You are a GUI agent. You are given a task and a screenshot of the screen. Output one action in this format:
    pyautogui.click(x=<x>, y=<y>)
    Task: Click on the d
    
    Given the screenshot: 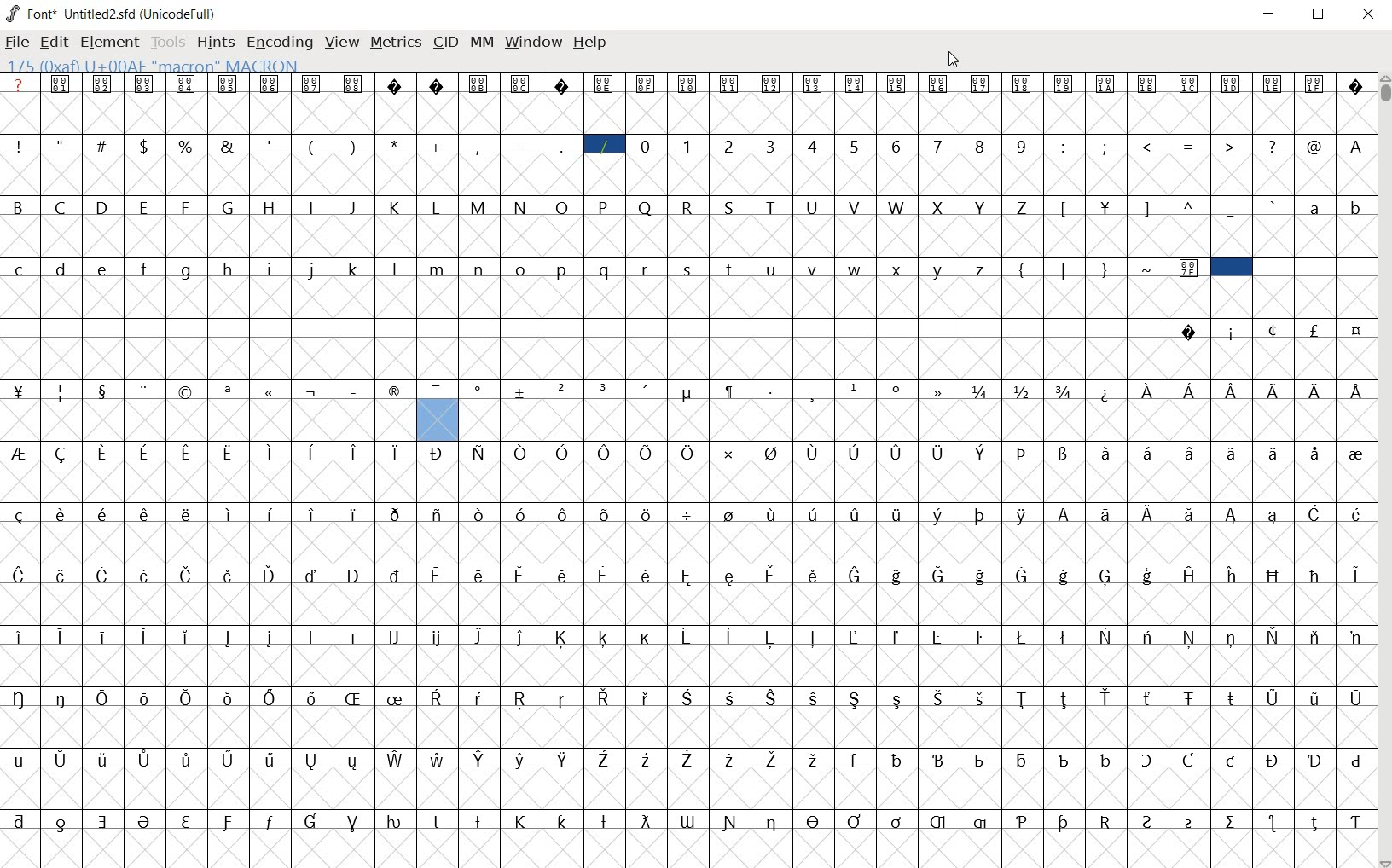 What is the action you would take?
    pyautogui.click(x=61, y=268)
    